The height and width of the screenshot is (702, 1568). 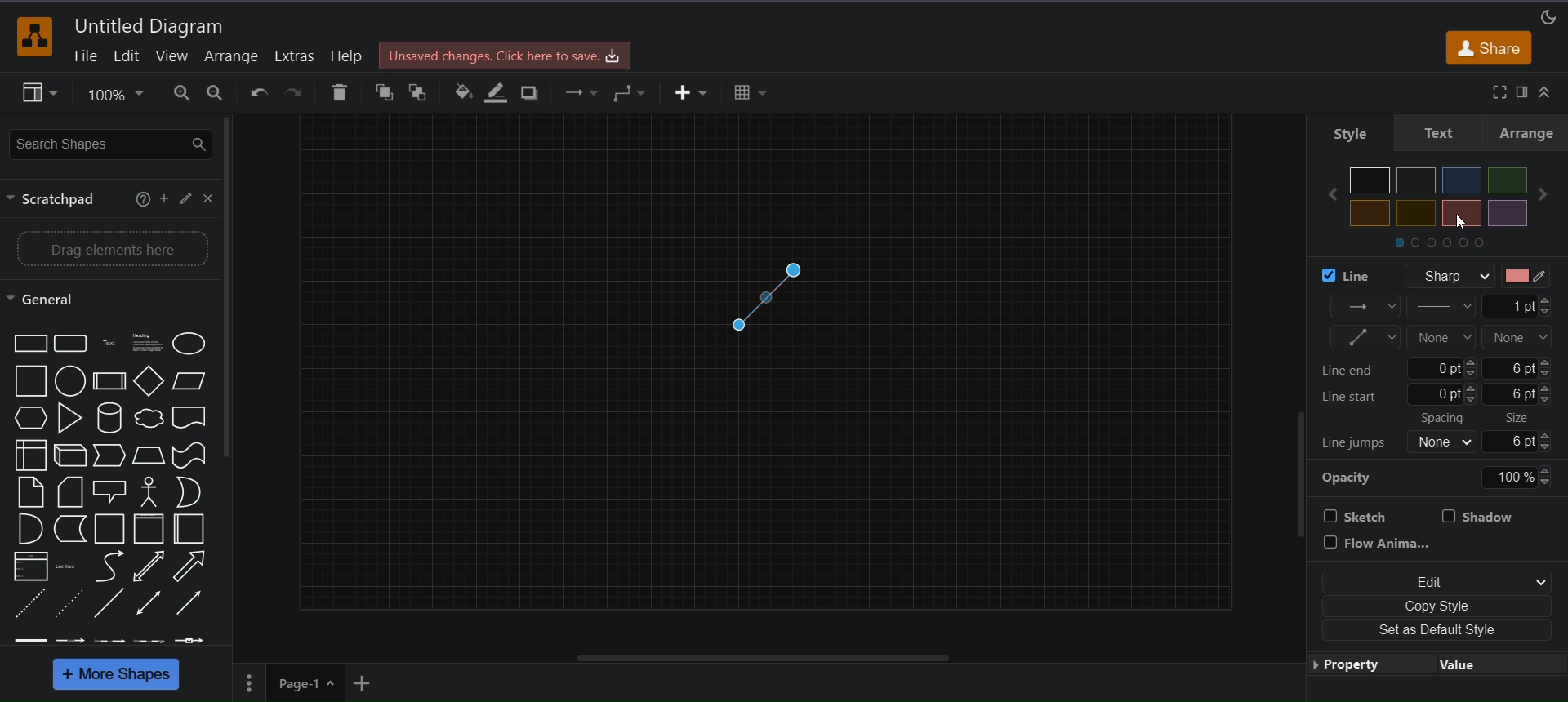 I want to click on connection, so click(x=1368, y=305).